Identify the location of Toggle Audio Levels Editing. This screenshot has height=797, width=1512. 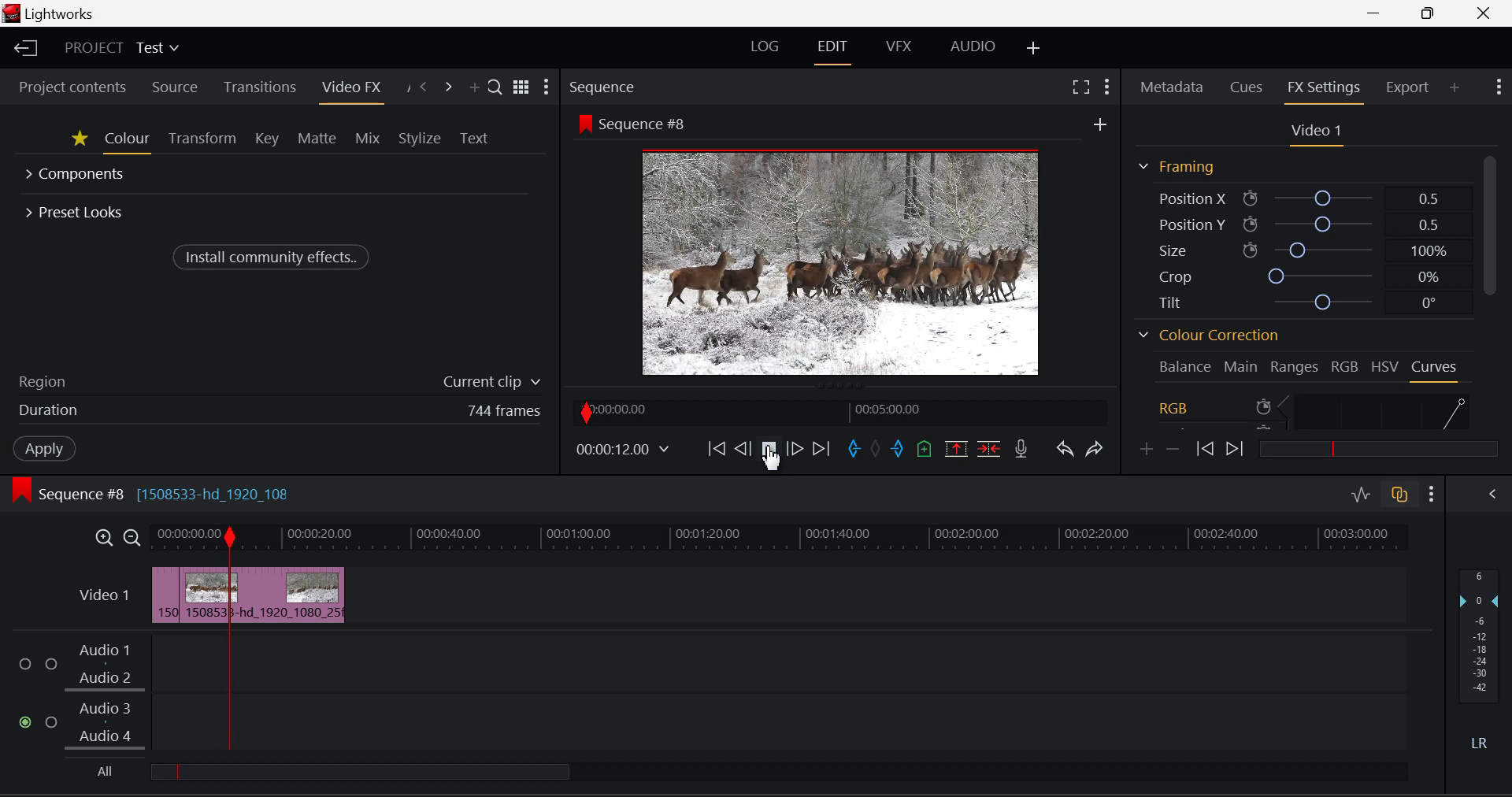
(1360, 495).